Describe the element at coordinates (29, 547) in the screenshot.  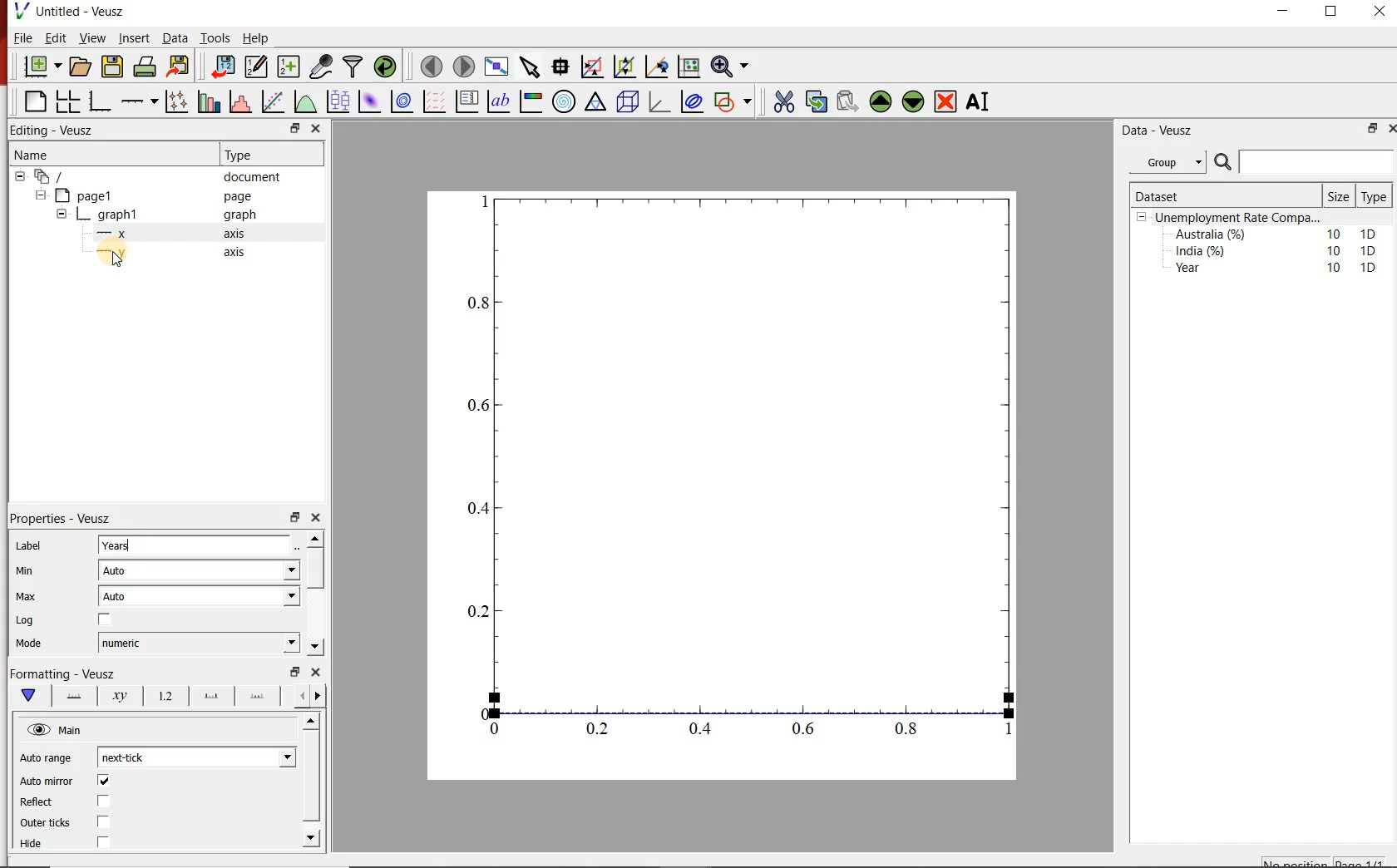
I see `Label` at that location.